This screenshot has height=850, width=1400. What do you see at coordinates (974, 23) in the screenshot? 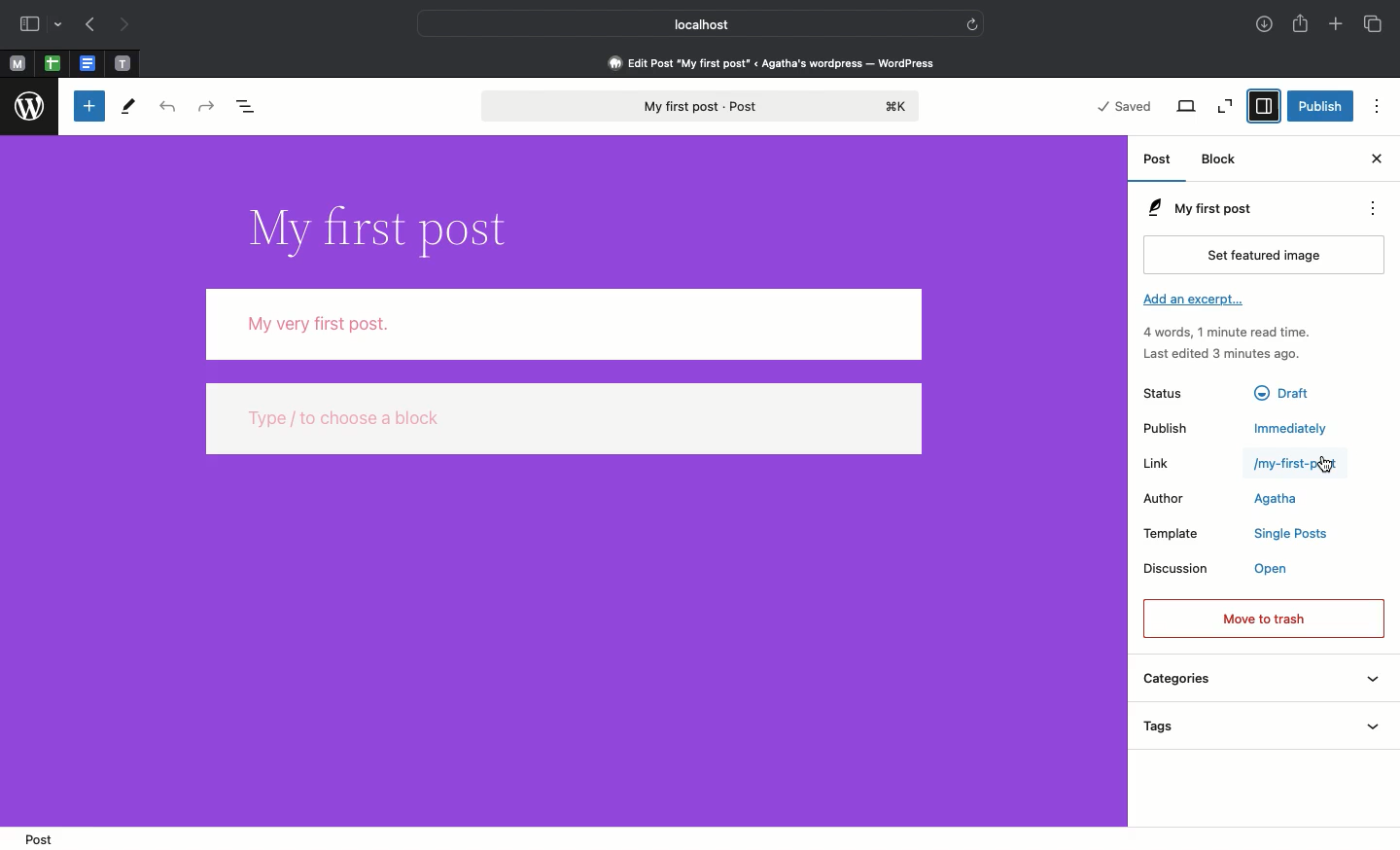
I see `refresh` at bounding box center [974, 23].